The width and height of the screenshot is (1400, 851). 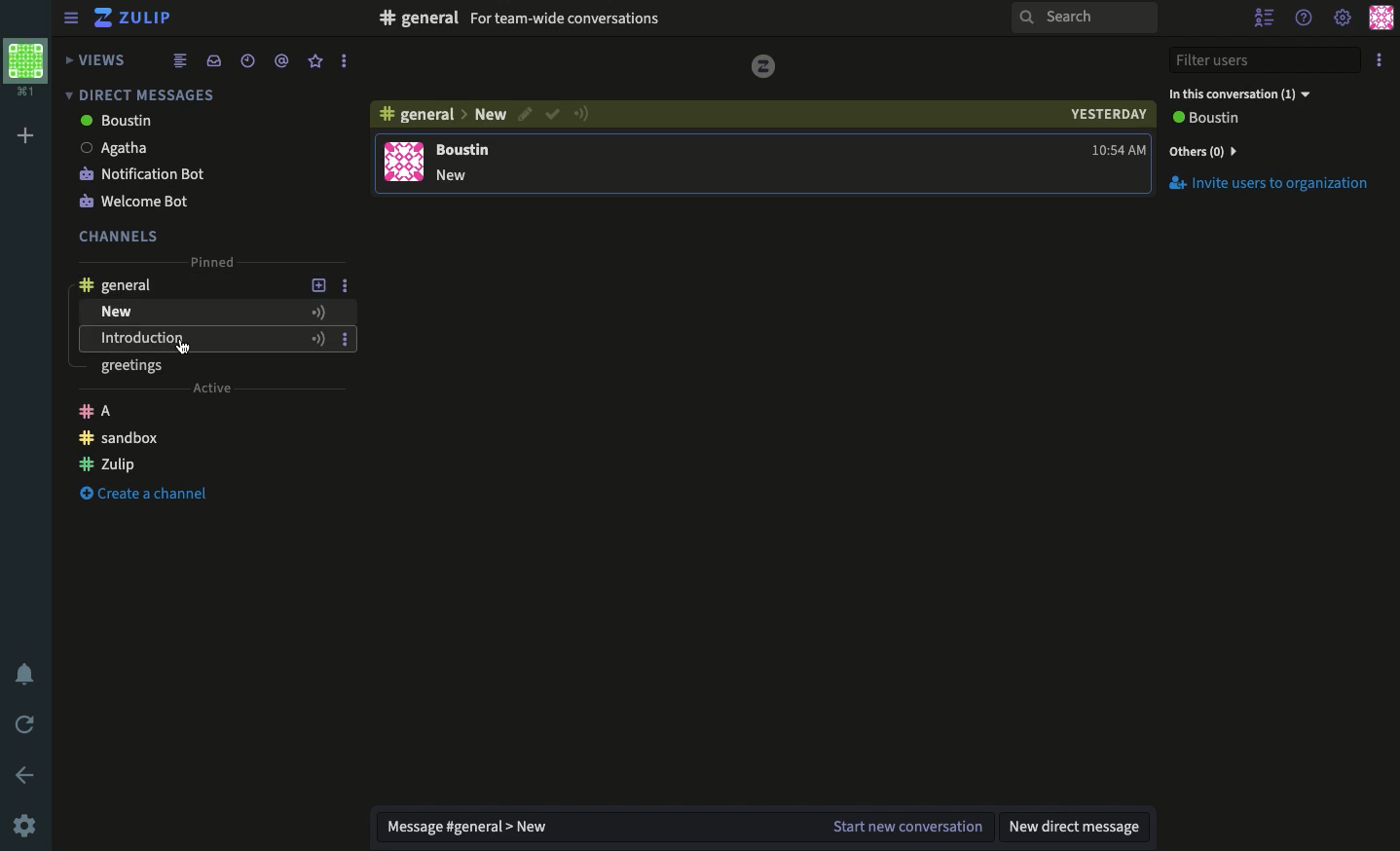 What do you see at coordinates (524, 116) in the screenshot?
I see `Edit` at bounding box center [524, 116].